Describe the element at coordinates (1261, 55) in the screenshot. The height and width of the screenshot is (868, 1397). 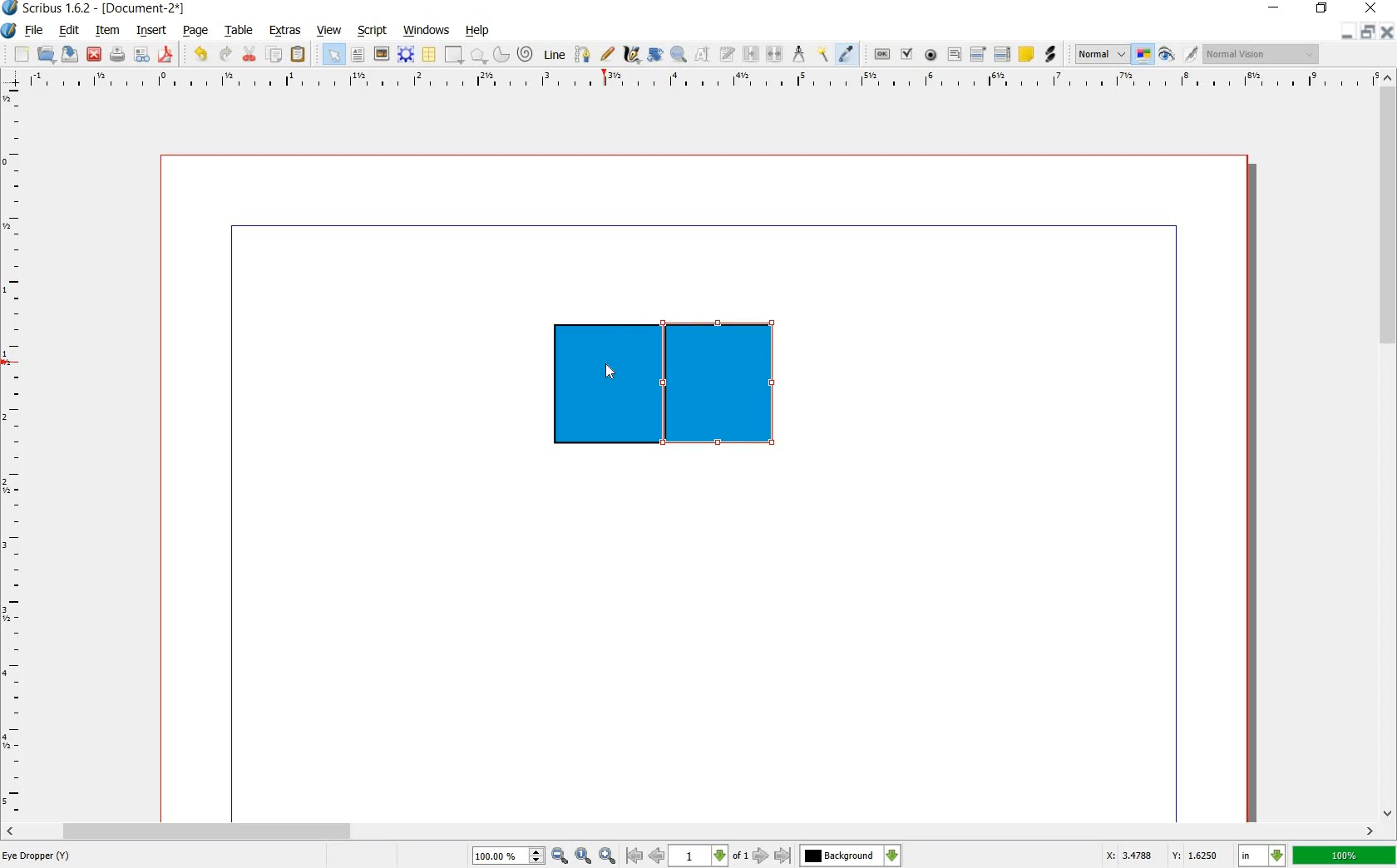
I see `normal vision` at that location.